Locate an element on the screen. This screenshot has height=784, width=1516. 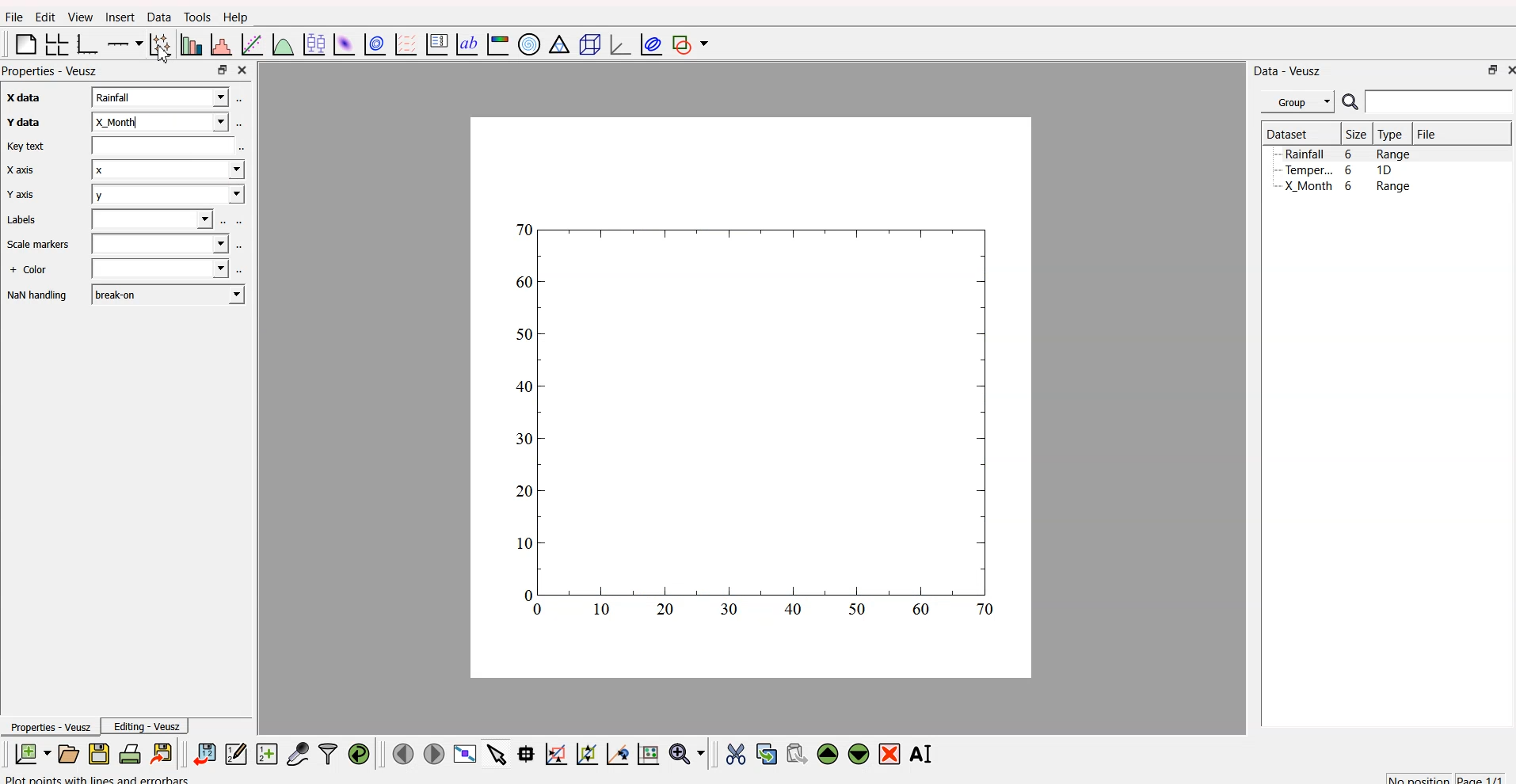
plot points with lines and numbers is located at coordinates (102, 778).